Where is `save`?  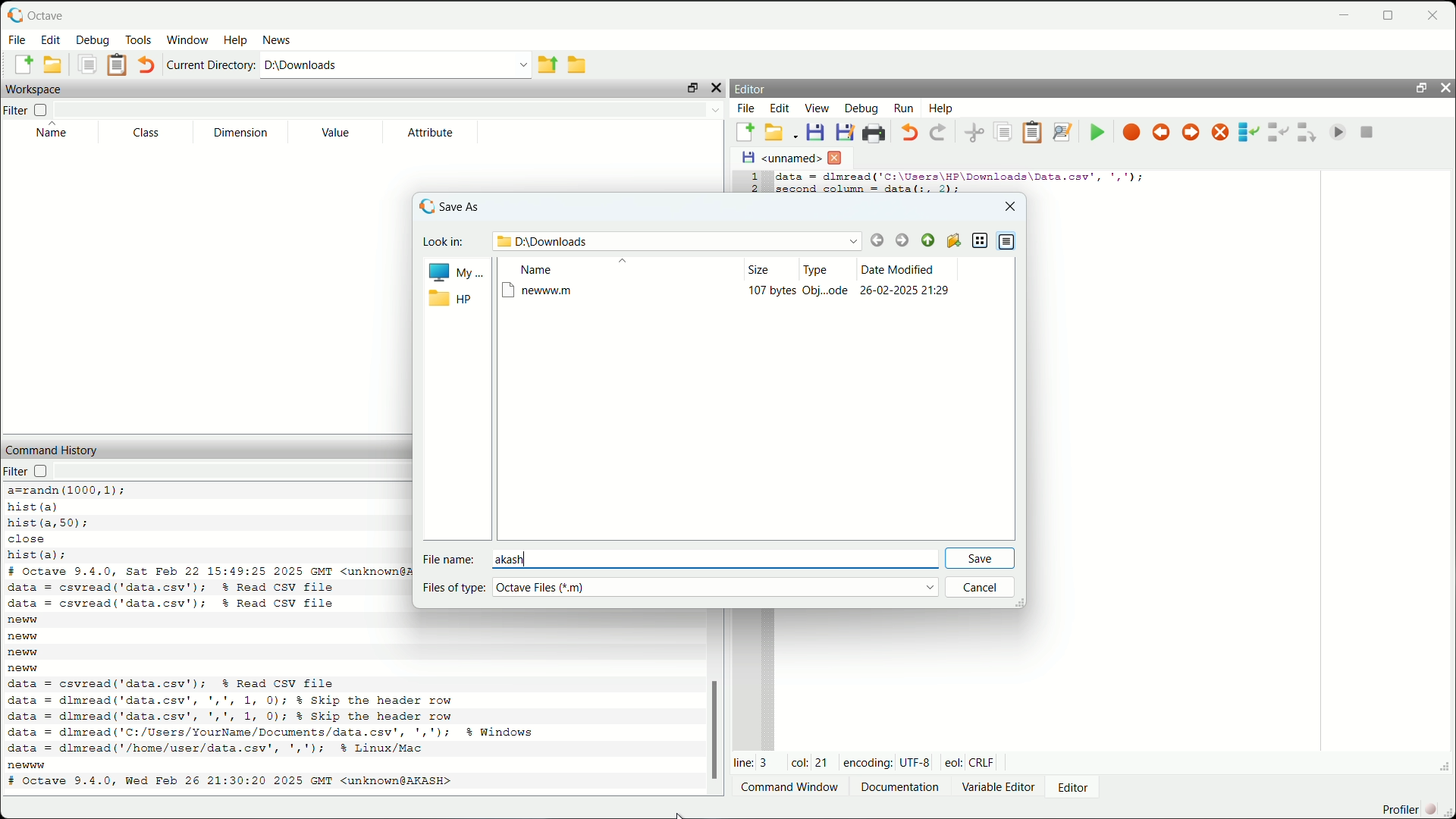
save is located at coordinates (985, 557).